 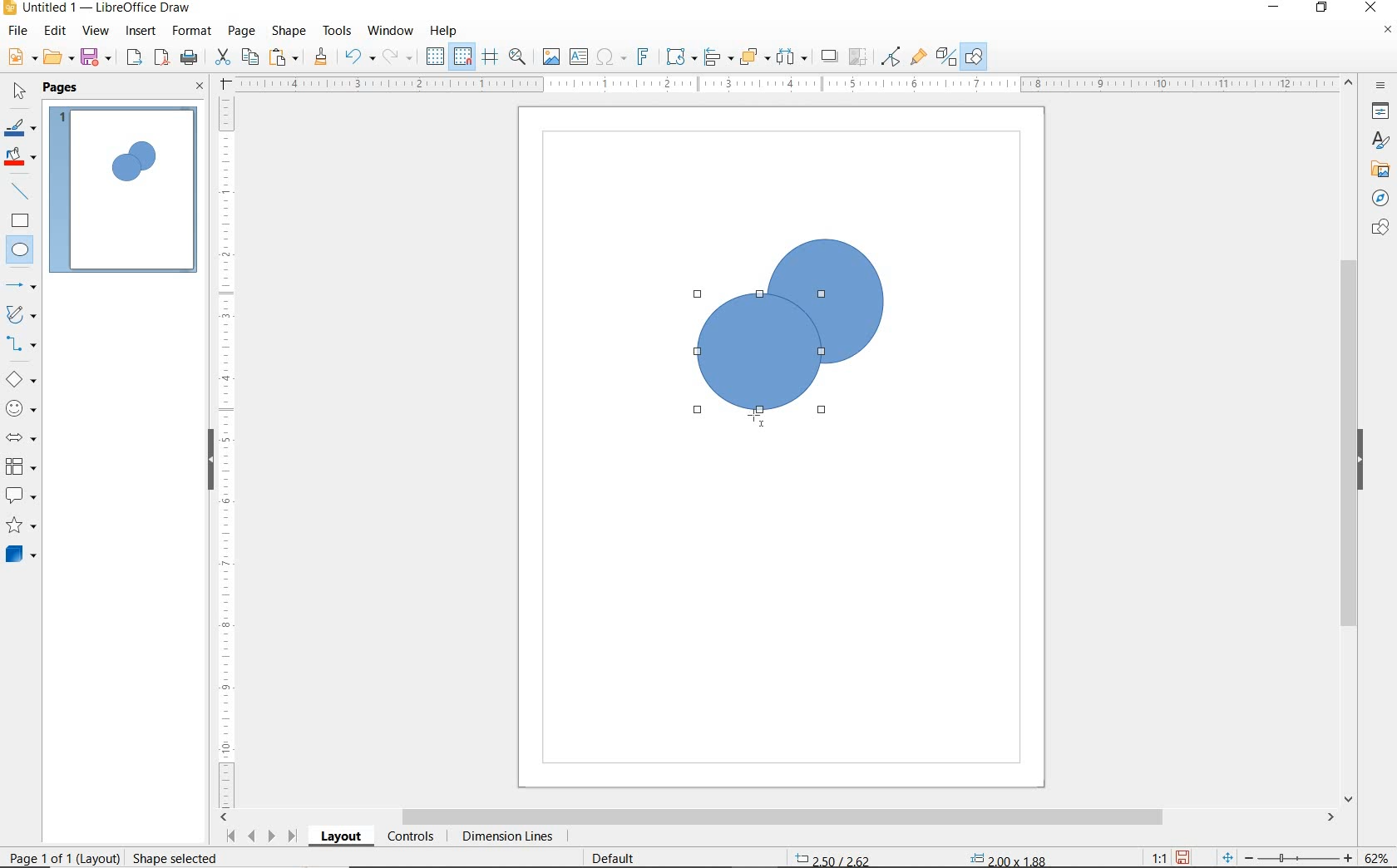 I want to click on HELP, so click(x=444, y=31).